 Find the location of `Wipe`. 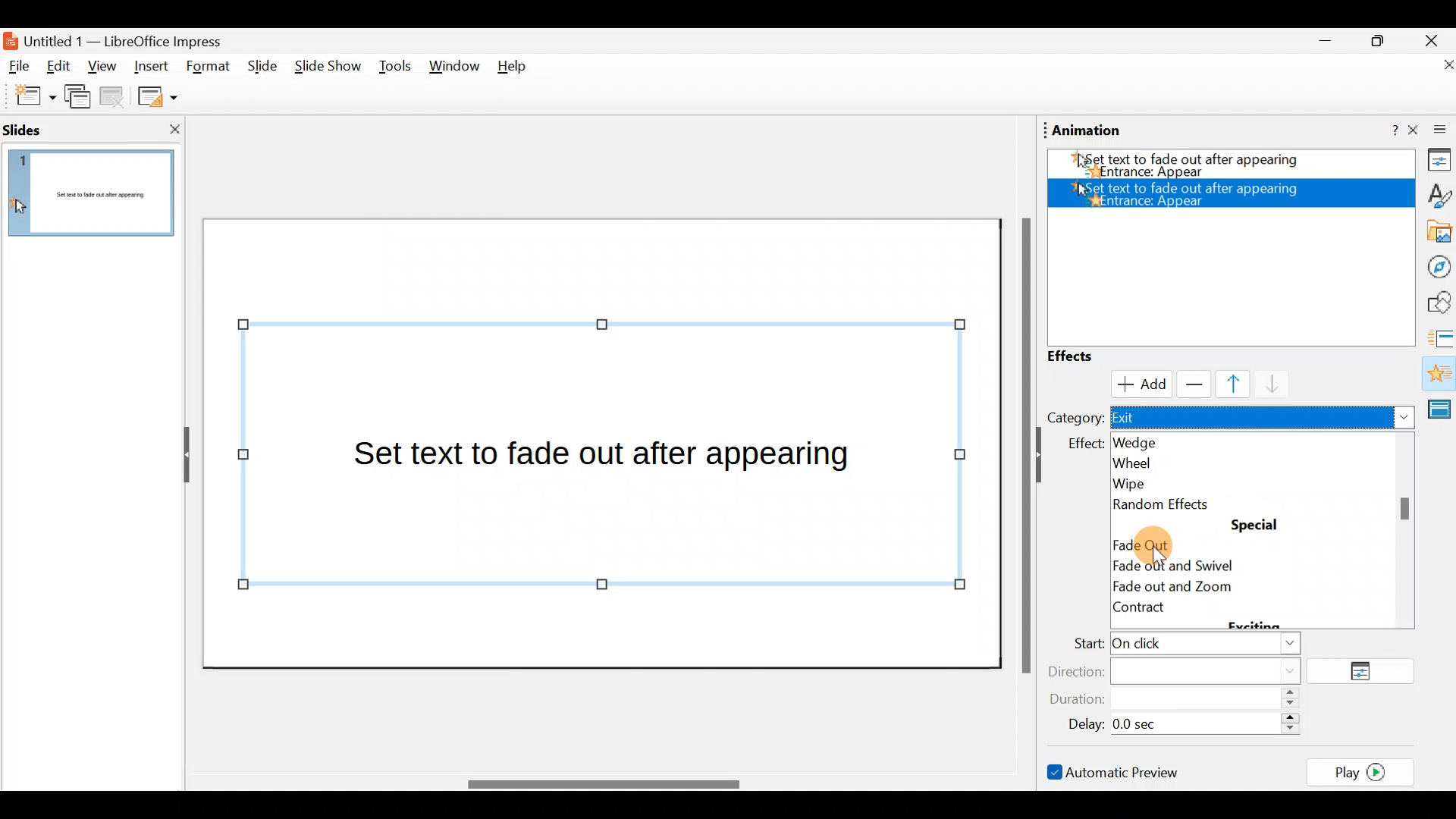

Wipe is located at coordinates (1161, 481).